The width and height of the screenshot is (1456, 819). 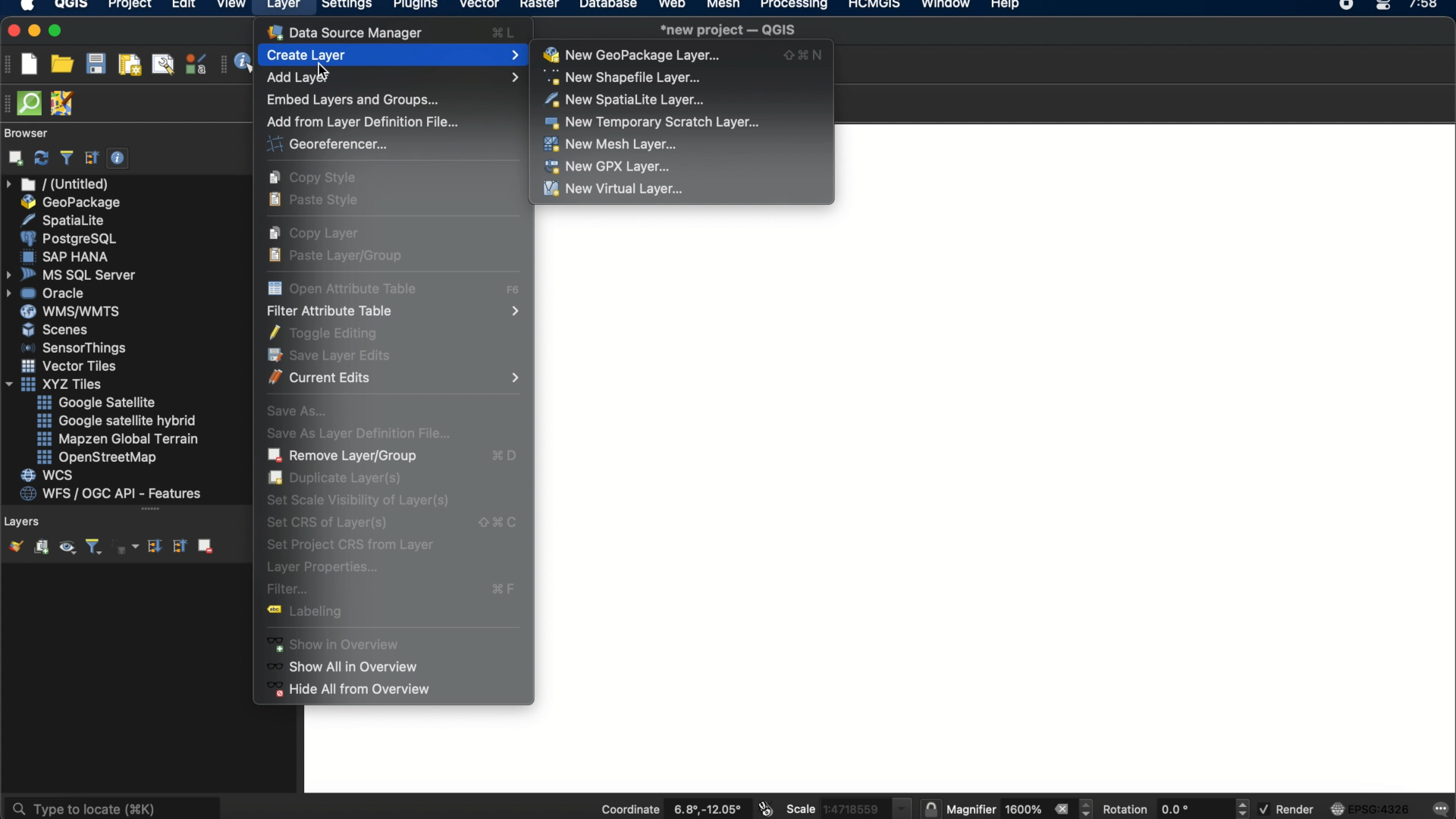 What do you see at coordinates (66, 158) in the screenshot?
I see `filter browser` at bounding box center [66, 158].